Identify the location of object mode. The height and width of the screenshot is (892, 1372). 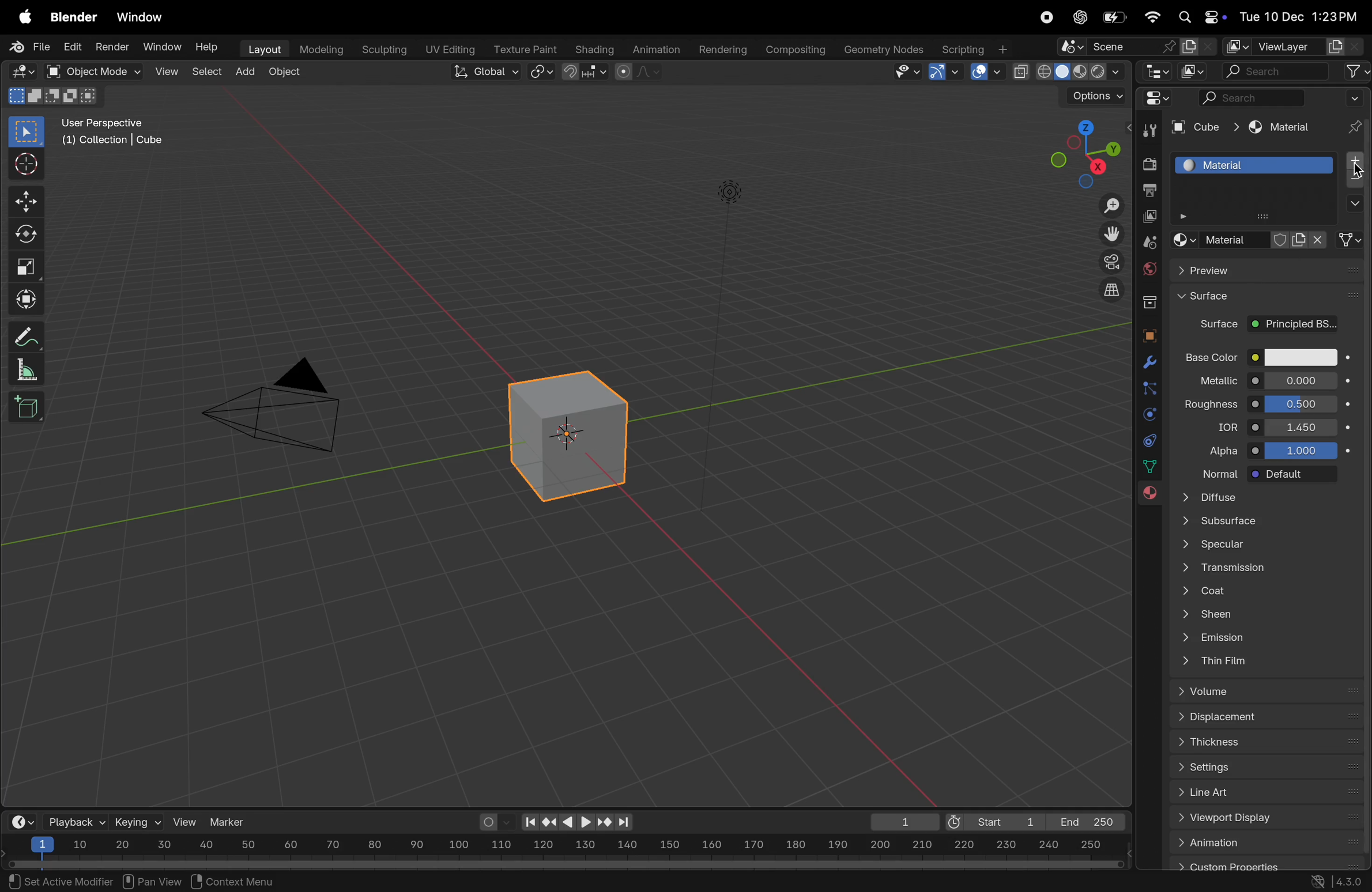
(88, 71).